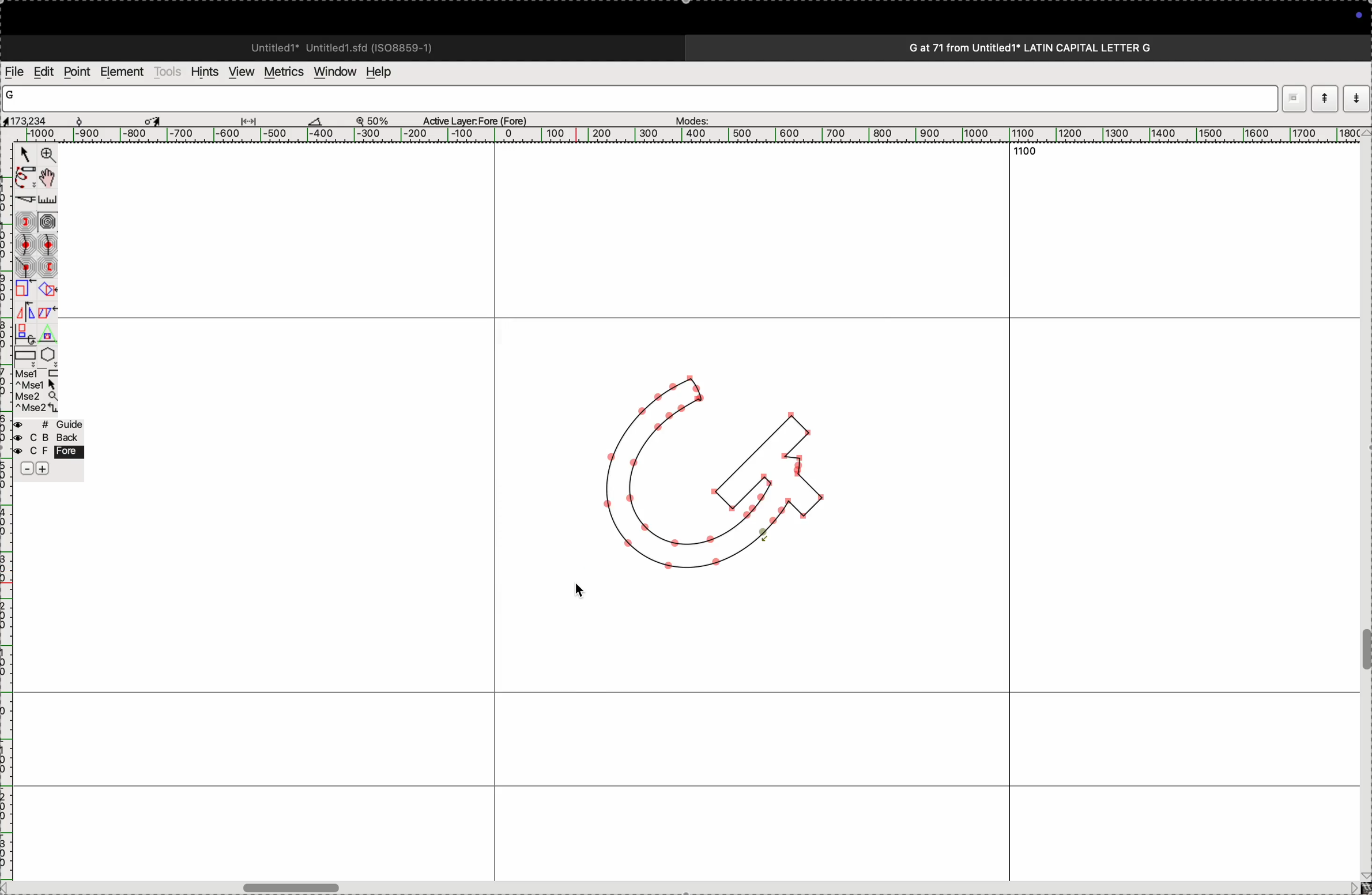 The width and height of the screenshot is (1372, 895). What do you see at coordinates (242, 72) in the screenshot?
I see `view` at bounding box center [242, 72].